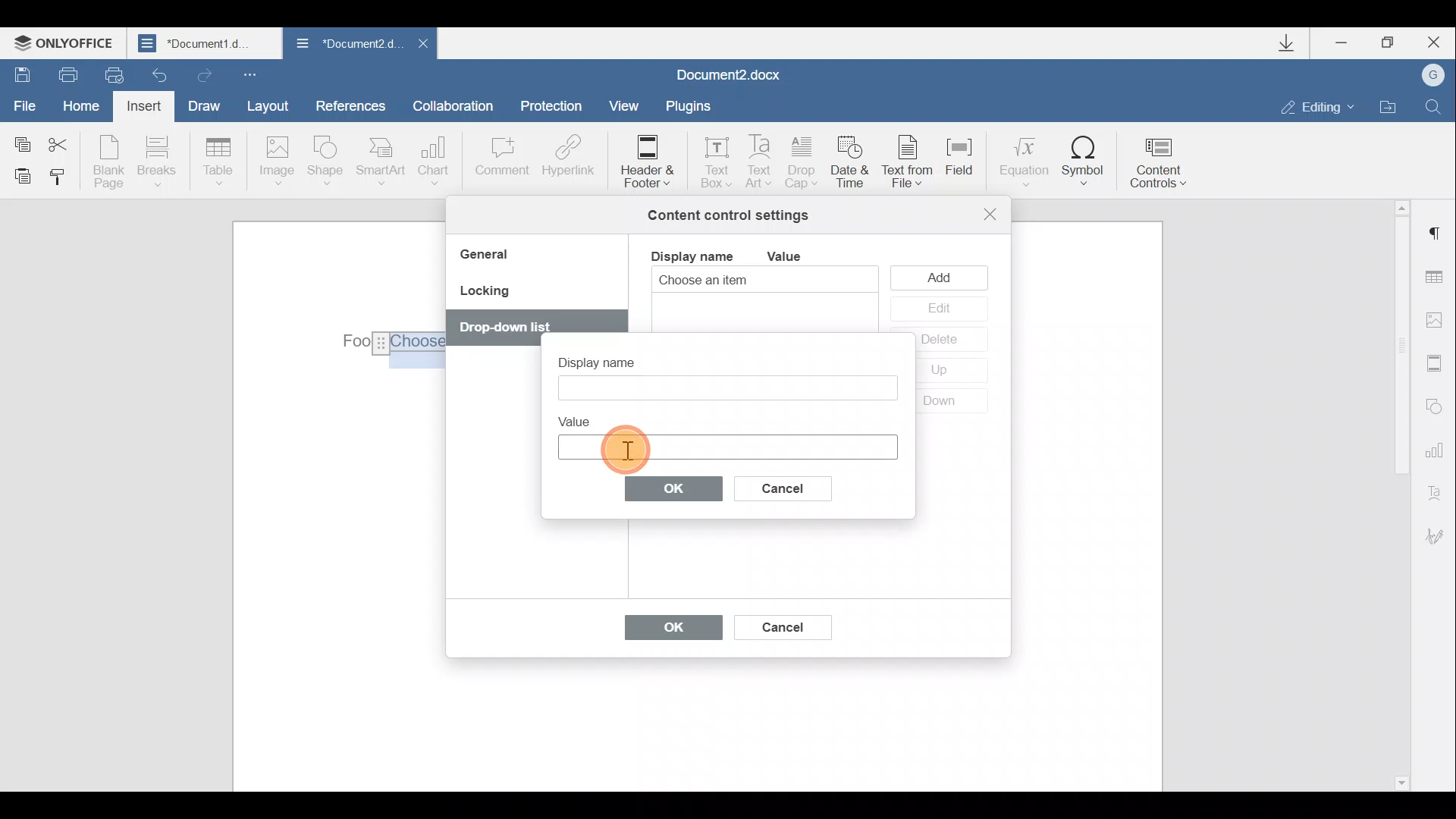  Describe the element at coordinates (555, 108) in the screenshot. I see `Protection` at that location.